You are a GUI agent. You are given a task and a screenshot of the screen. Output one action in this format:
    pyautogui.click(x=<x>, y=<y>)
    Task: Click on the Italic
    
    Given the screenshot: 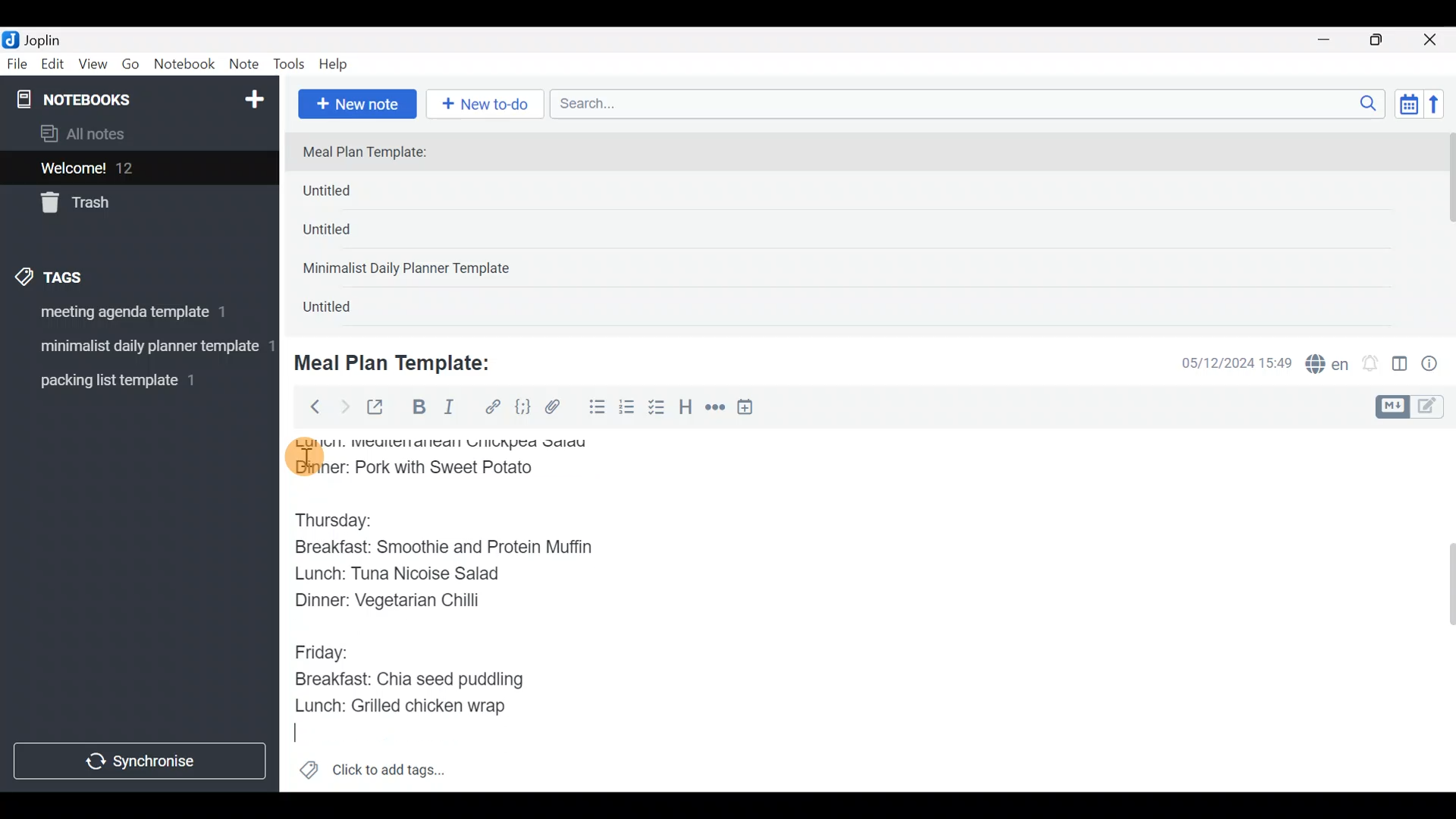 What is the action you would take?
    pyautogui.click(x=447, y=410)
    